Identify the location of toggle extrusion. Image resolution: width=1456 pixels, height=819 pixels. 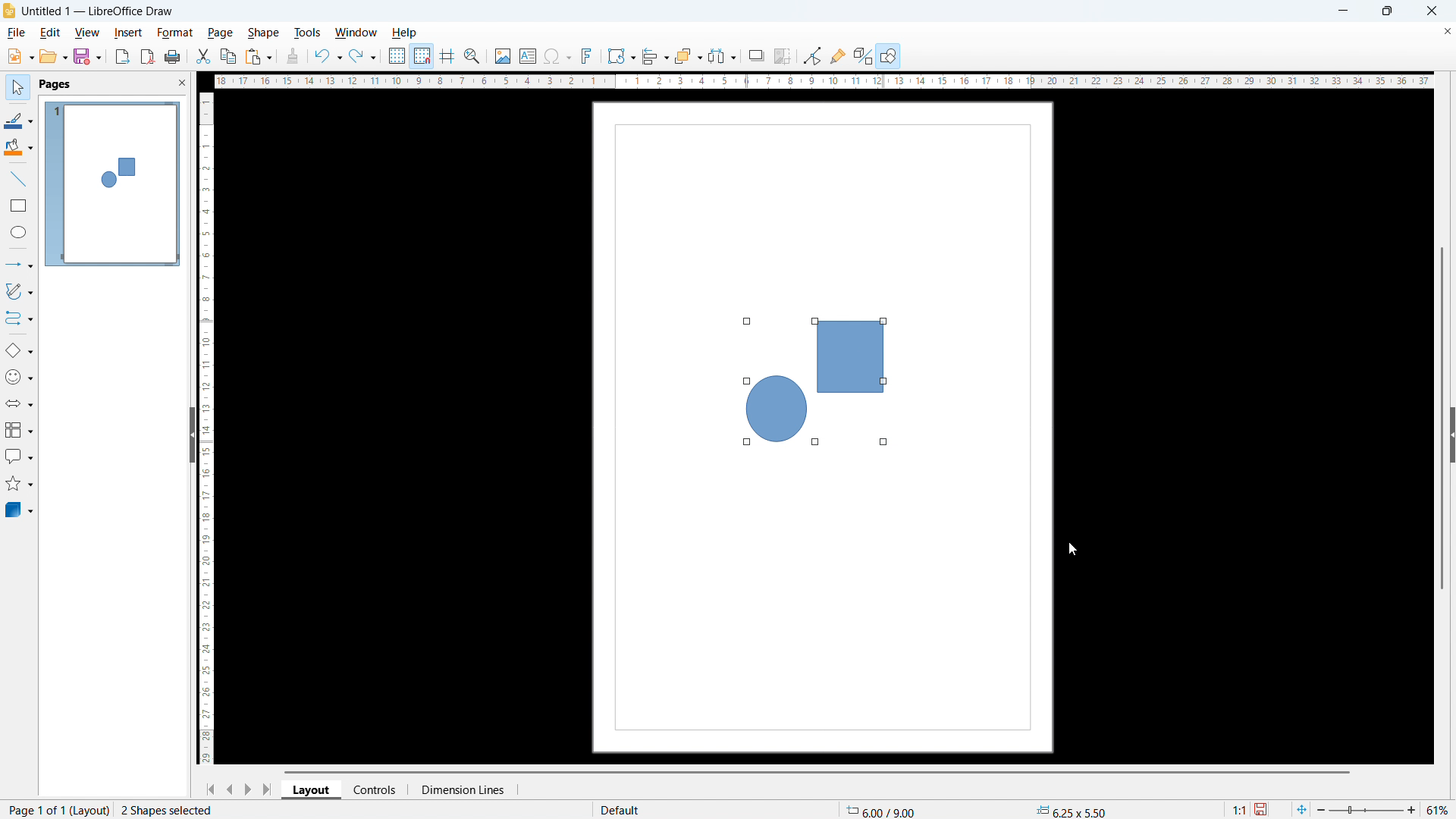
(863, 56).